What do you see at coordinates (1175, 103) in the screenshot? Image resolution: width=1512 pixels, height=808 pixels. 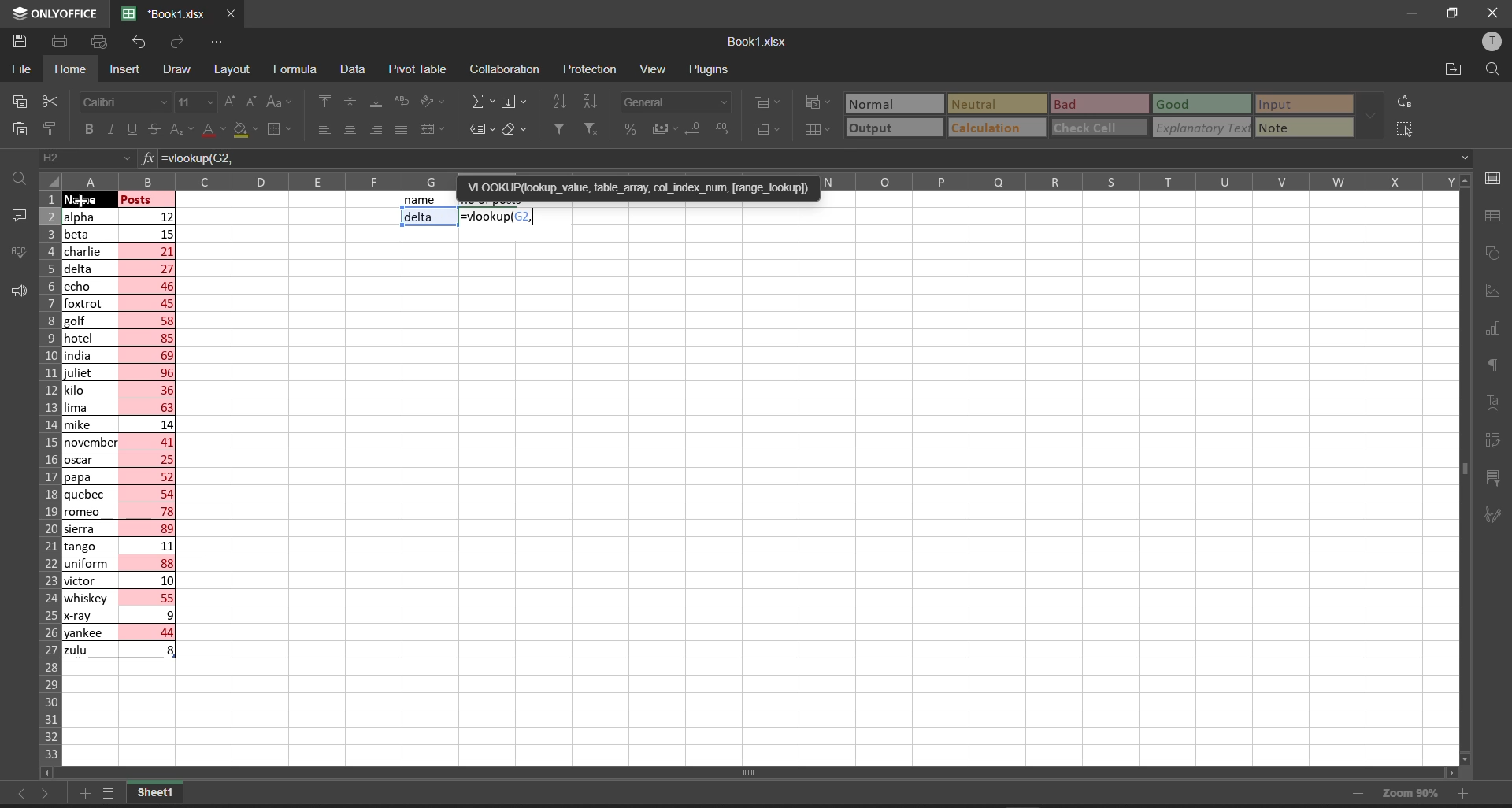 I see `Good` at bounding box center [1175, 103].